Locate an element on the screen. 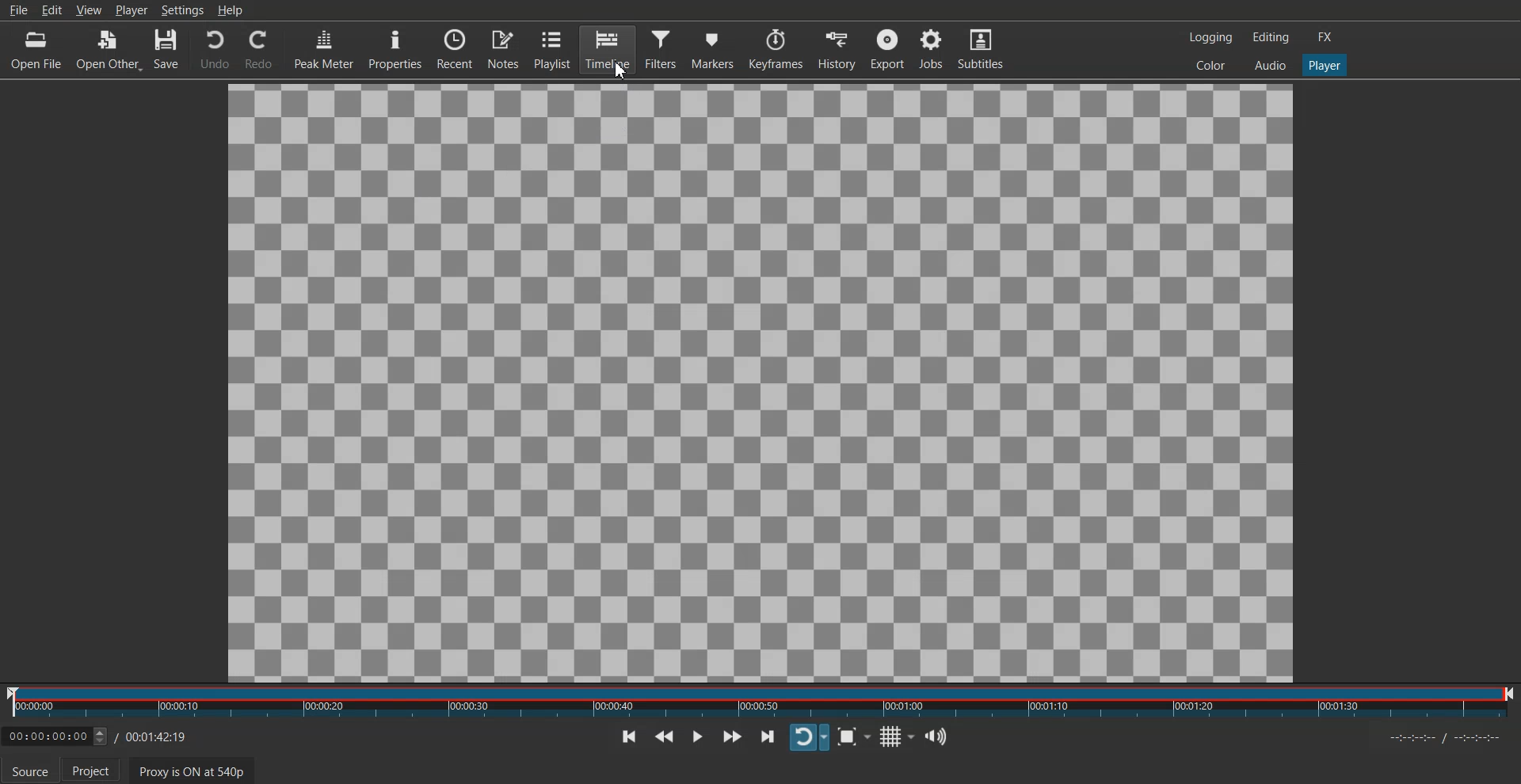 This screenshot has width=1521, height=784. Show the volume control is located at coordinates (937, 736).